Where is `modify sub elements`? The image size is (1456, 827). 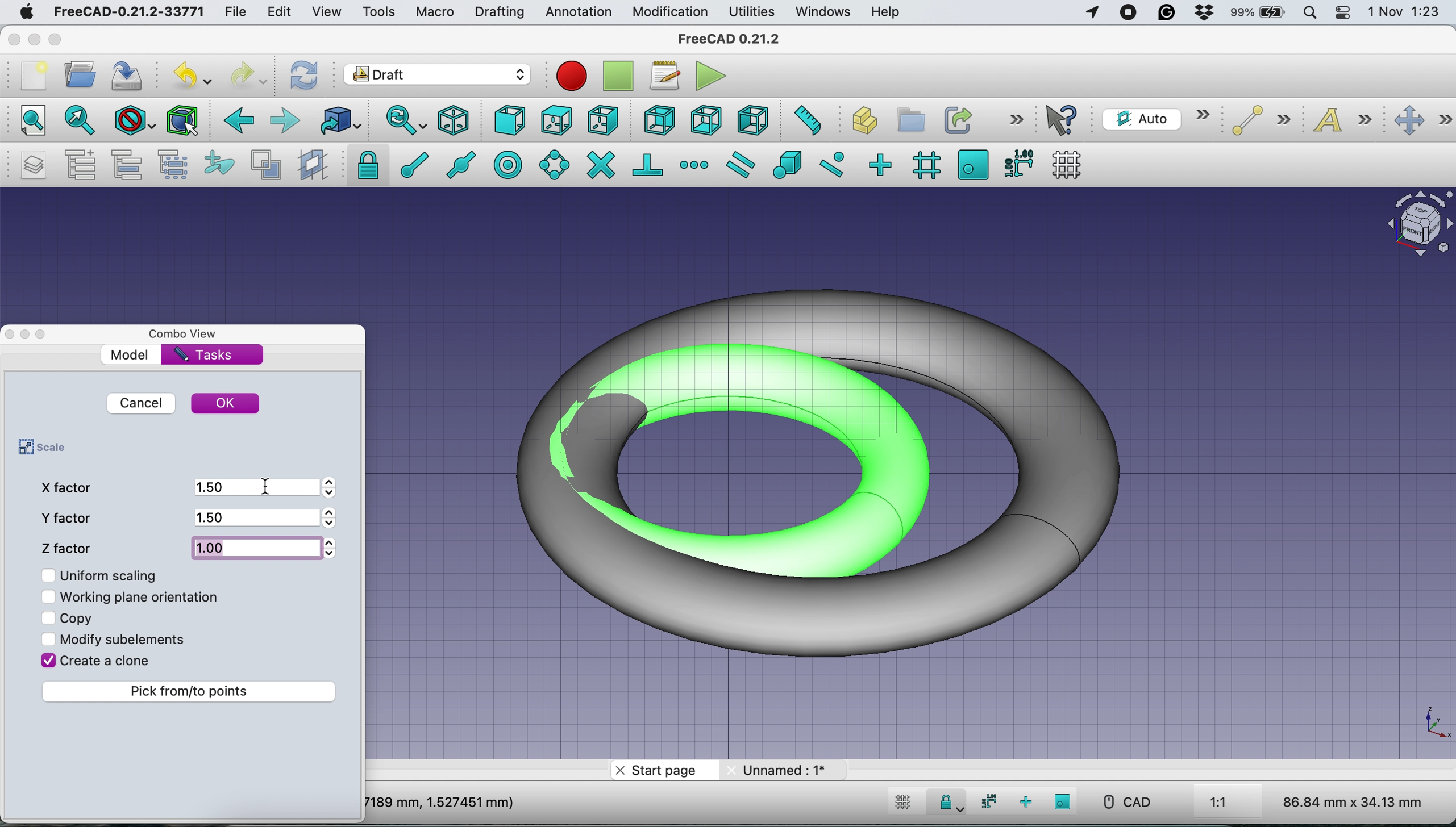 modify sub elements is located at coordinates (131, 637).